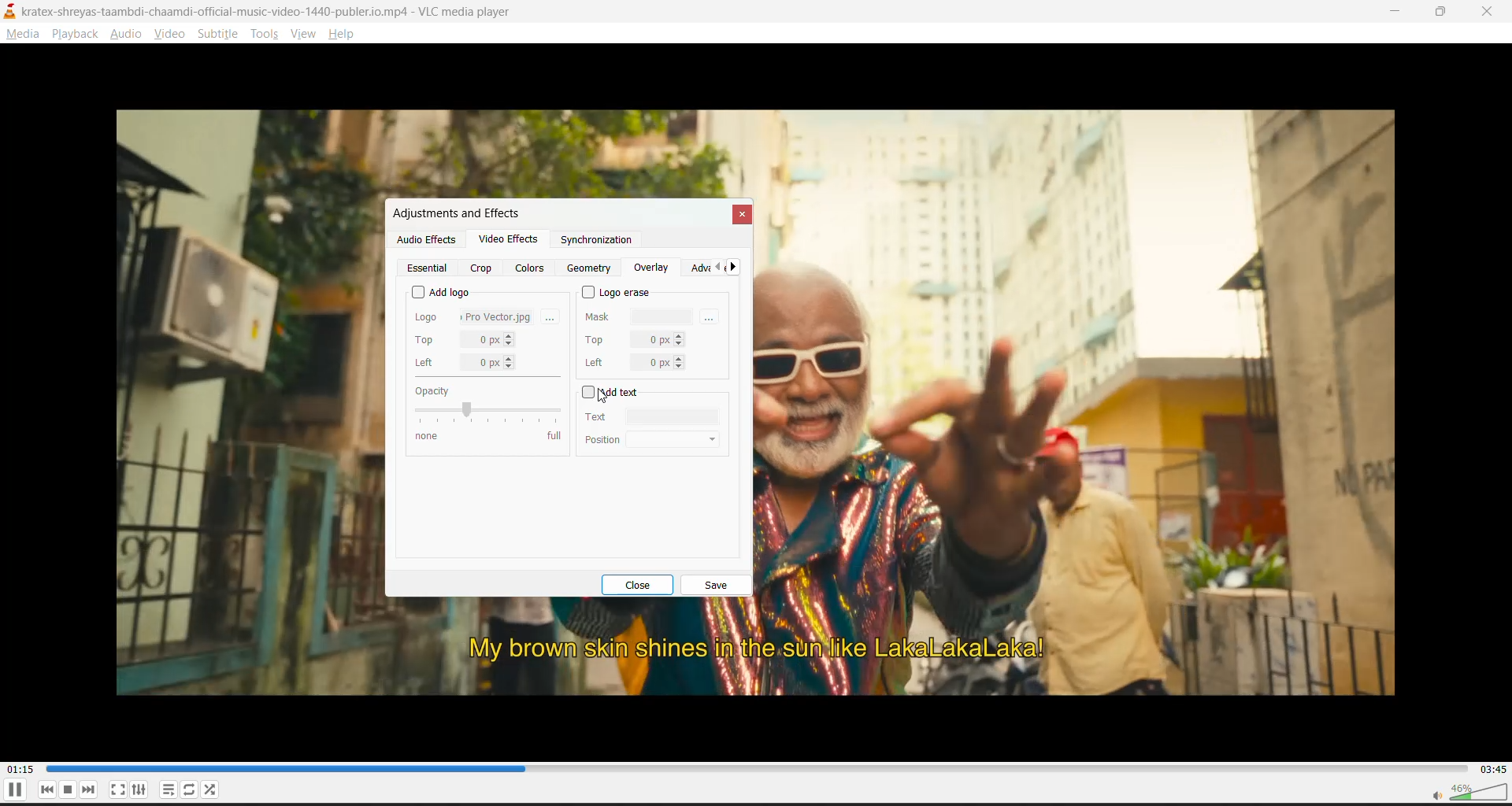  I want to click on previous, so click(714, 268).